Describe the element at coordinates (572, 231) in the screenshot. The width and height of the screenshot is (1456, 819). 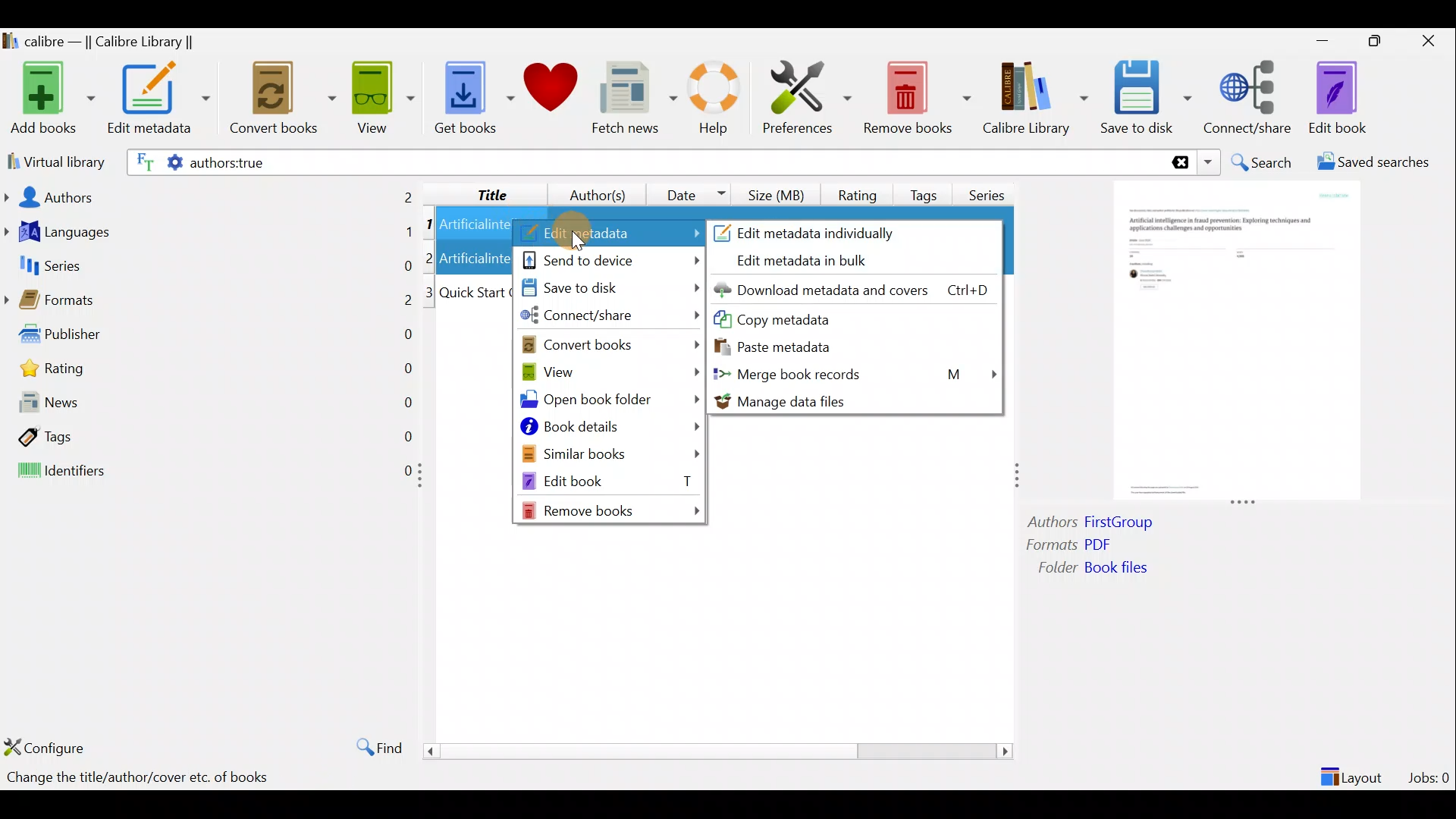
I see `Cursor` at that location.